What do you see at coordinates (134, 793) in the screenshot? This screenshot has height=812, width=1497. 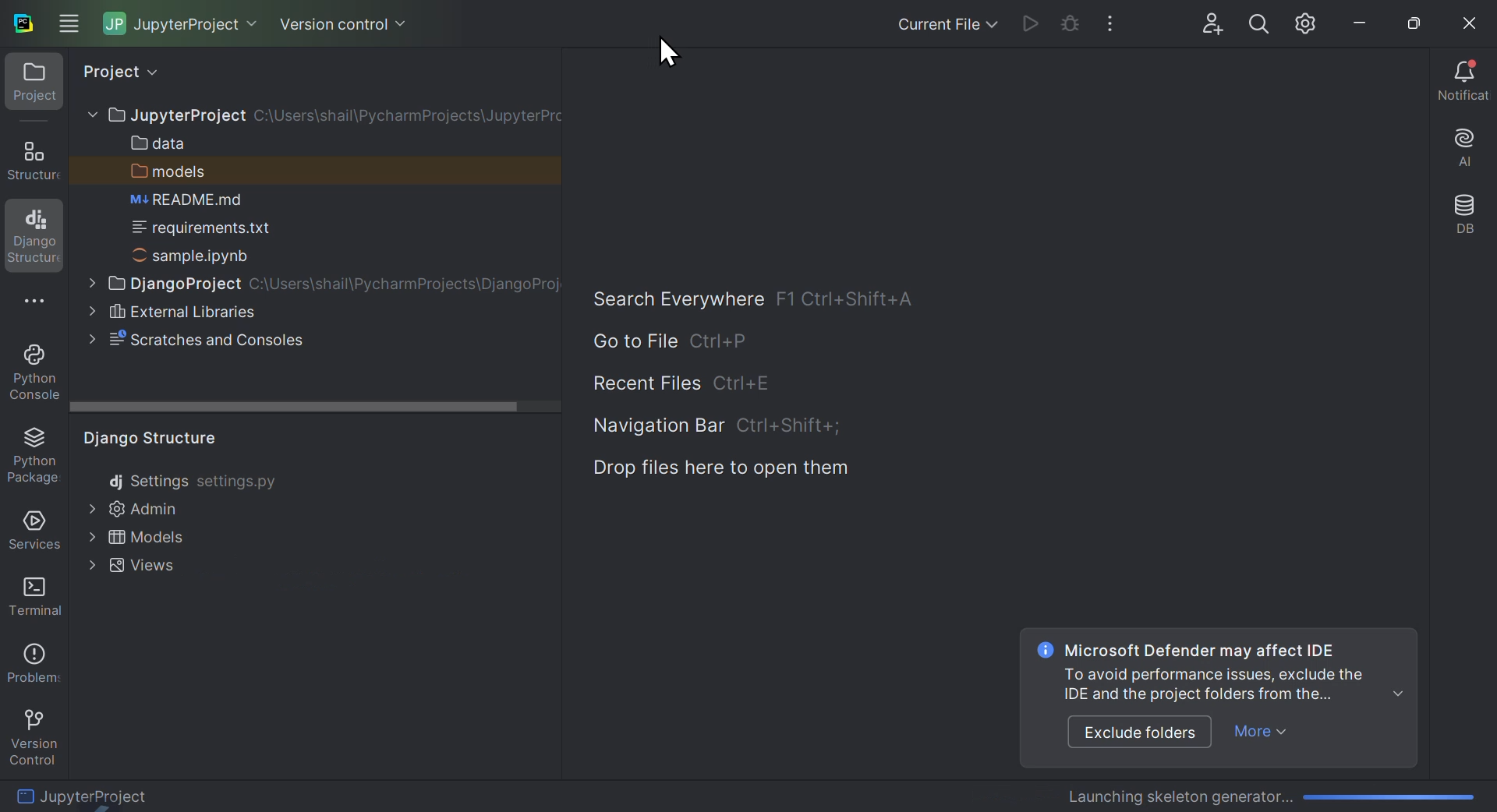 I see `JupyterProject` at bounding box center [134, 793].